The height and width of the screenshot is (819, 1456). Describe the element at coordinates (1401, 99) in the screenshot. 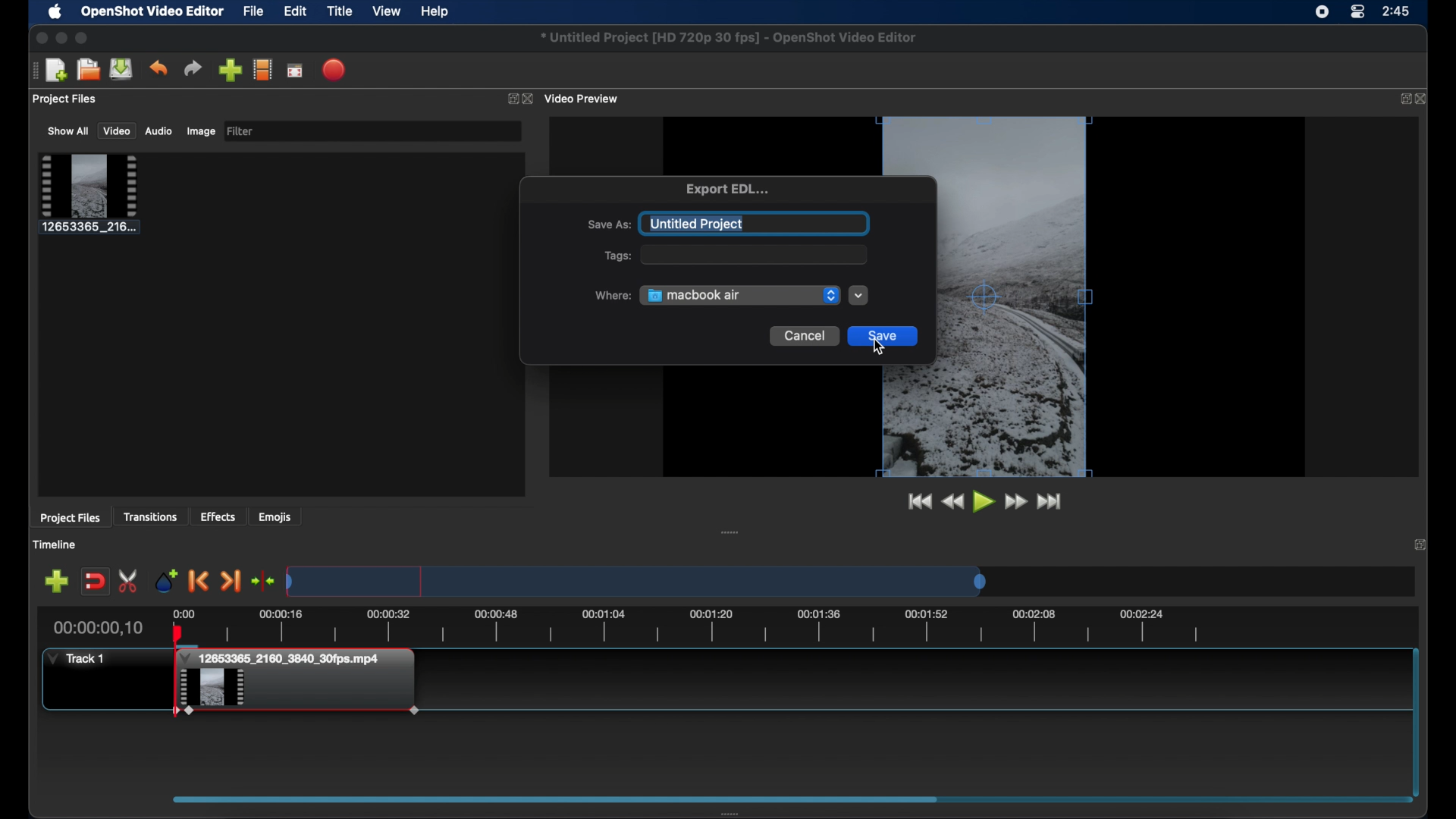

I see `expand` at that location.